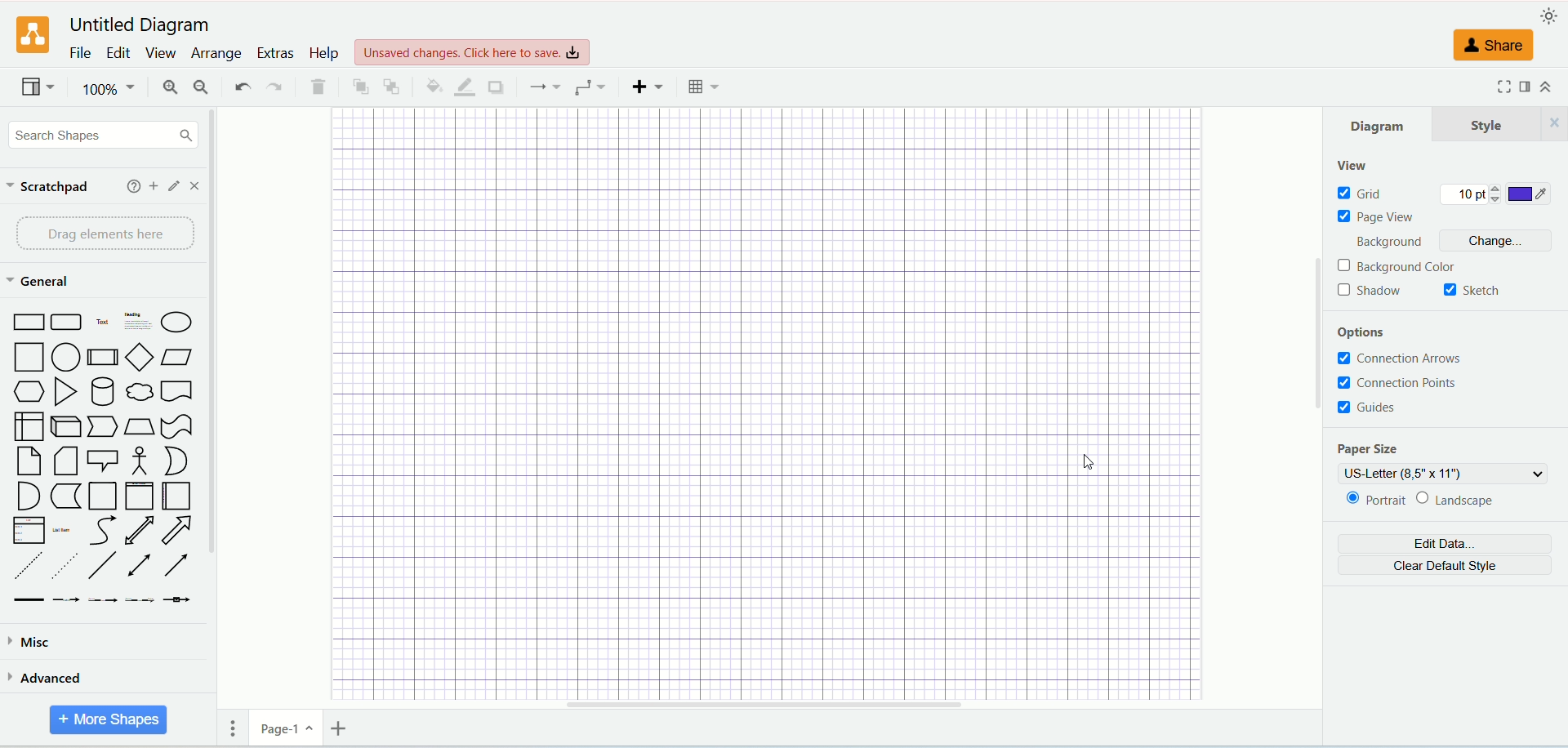 The width and height of the screenshot is (1568, 748). Describe the element at coordinates (1407, 358) in the screenshot. I see `connection arrow` at that location.